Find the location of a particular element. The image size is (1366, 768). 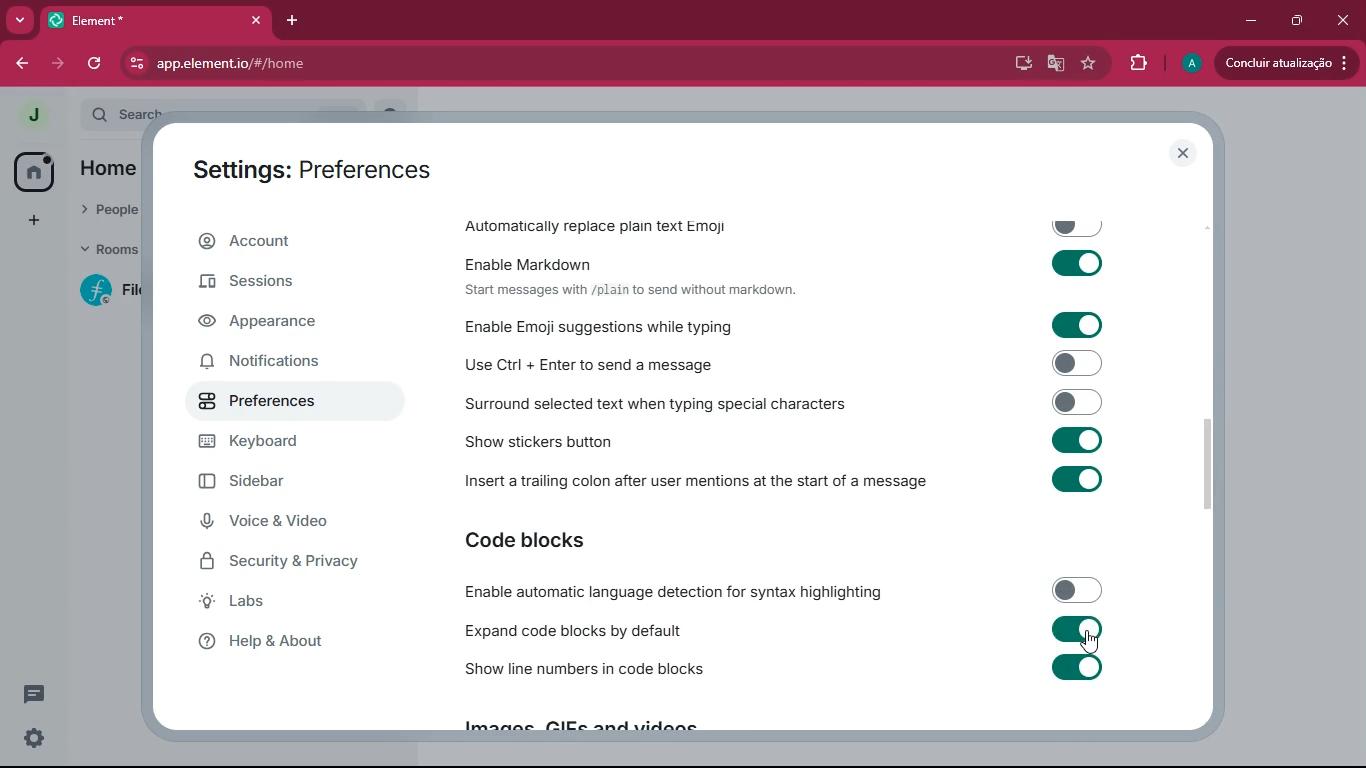

more is located at coordinates (21, 20).